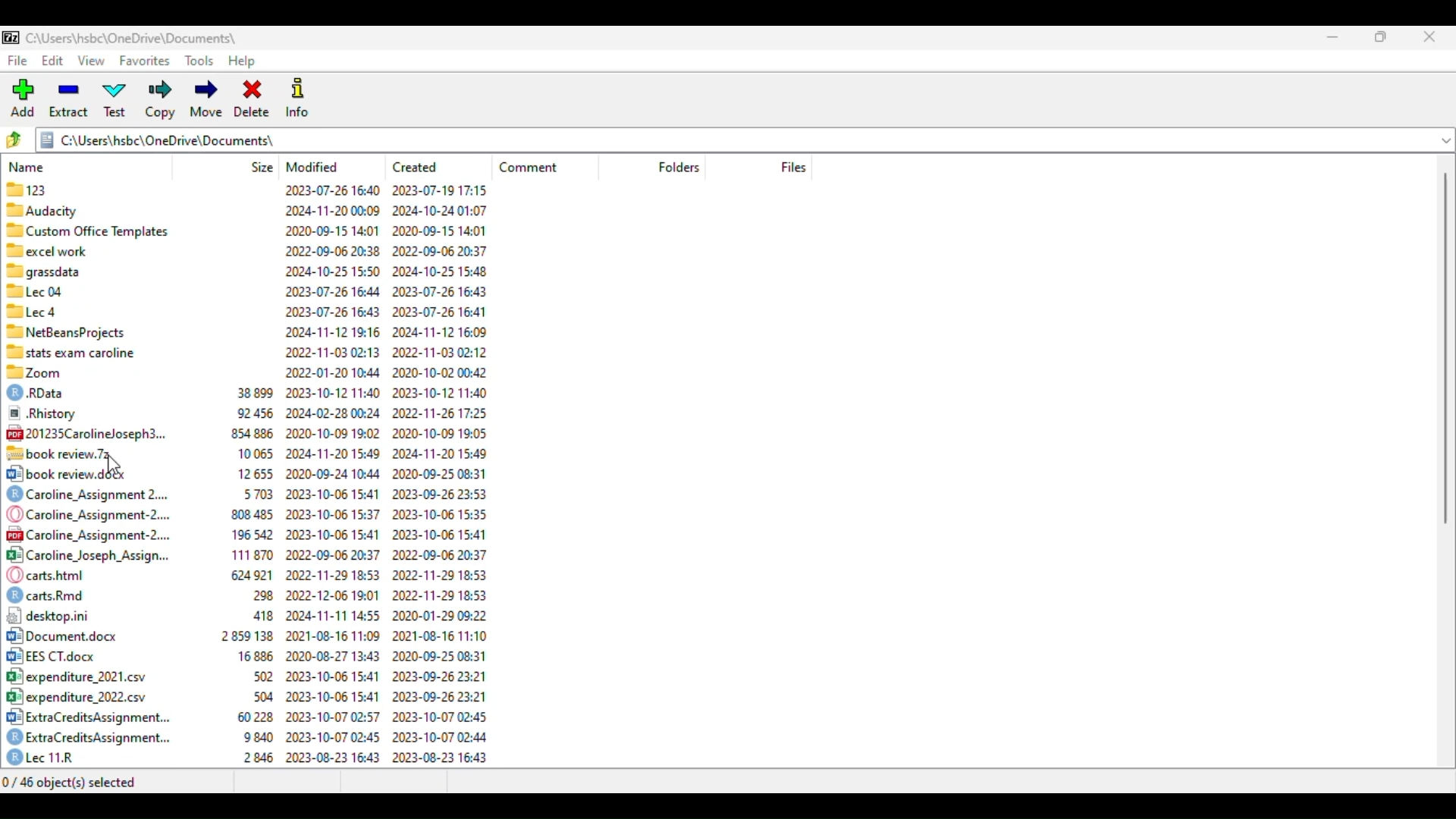 The width and height of the screenshot is (1456, 819). What do you see at coordinates (206, 101) in the screenshot?
I see `move` at bounding box center [206, 101].